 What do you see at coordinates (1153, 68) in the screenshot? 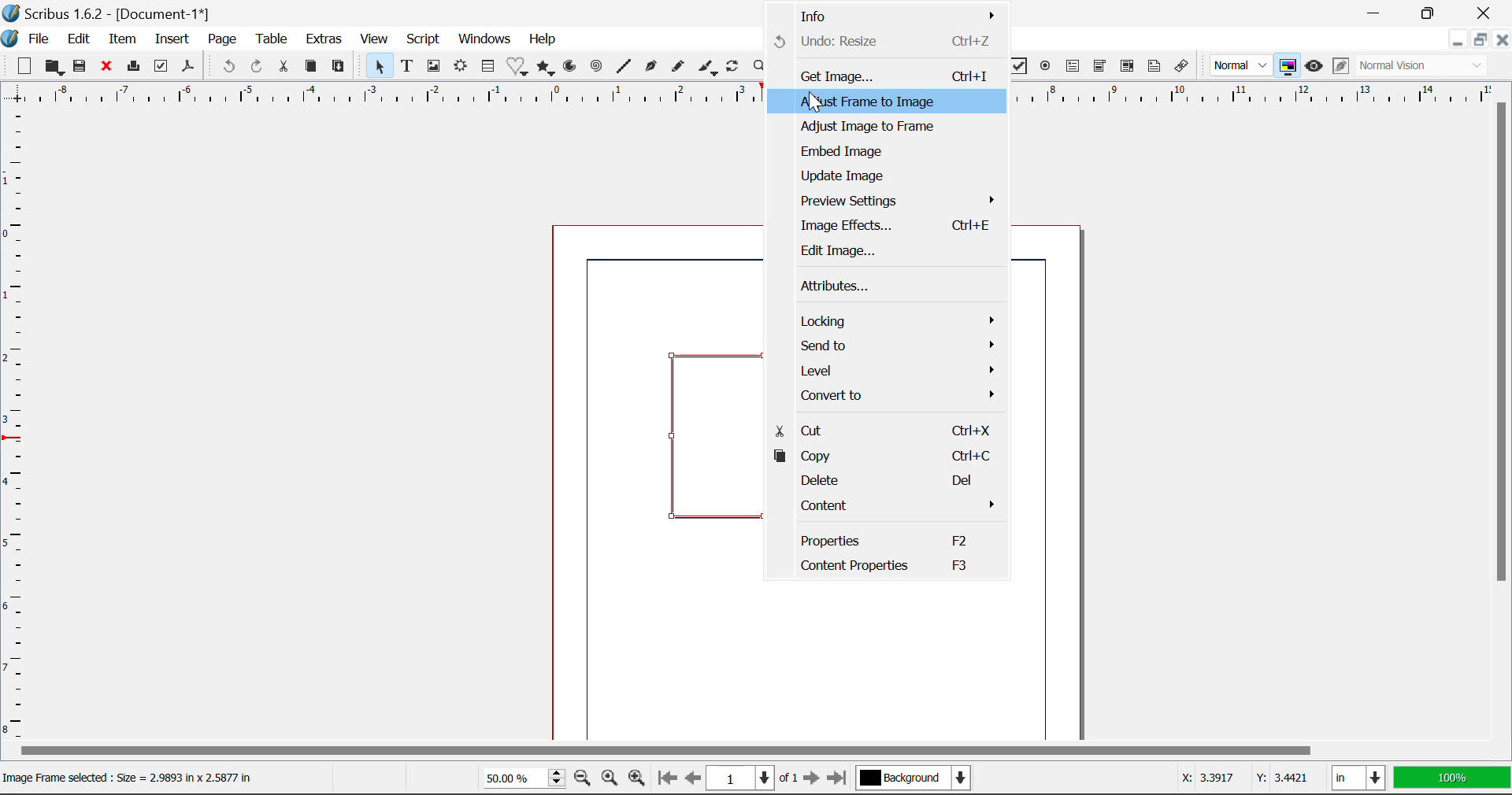
I see `Text Annotation` at bounding box center [1153, 68].